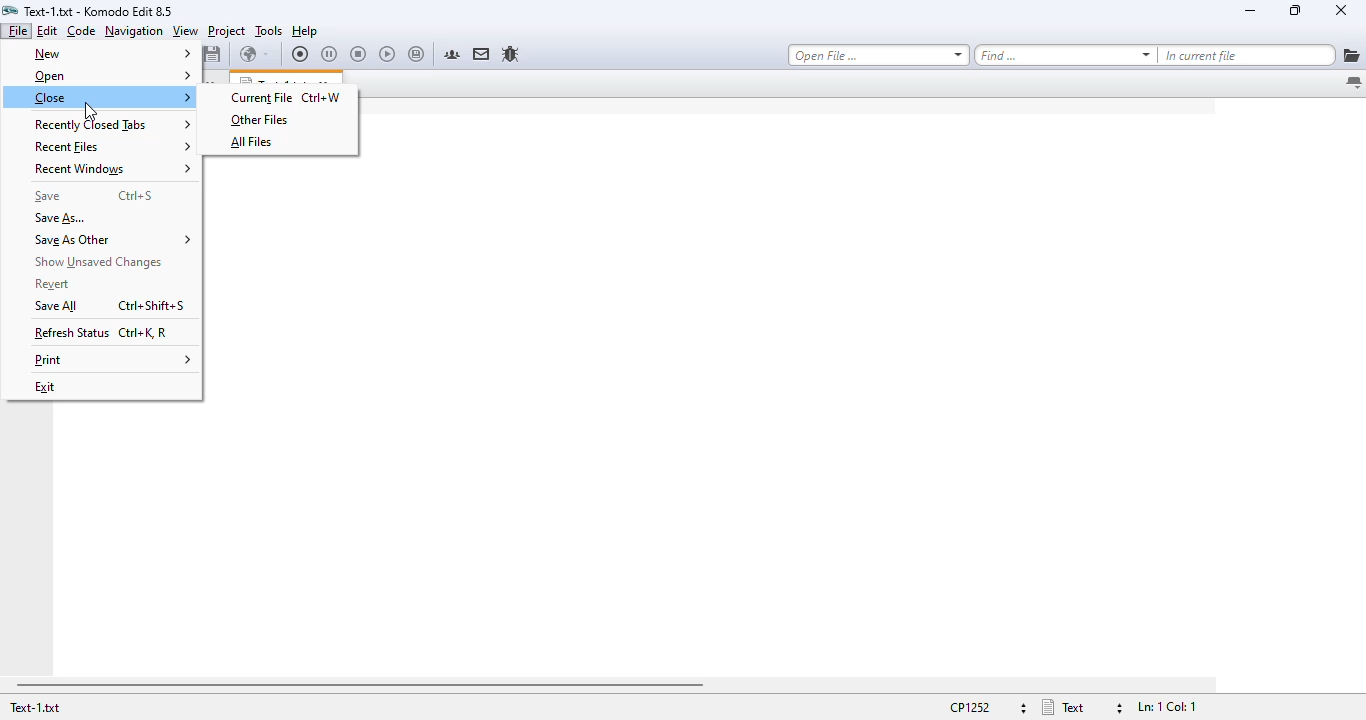 This screenshot has width=1366, height=720. I want to click on save as other, so click(114, 240).